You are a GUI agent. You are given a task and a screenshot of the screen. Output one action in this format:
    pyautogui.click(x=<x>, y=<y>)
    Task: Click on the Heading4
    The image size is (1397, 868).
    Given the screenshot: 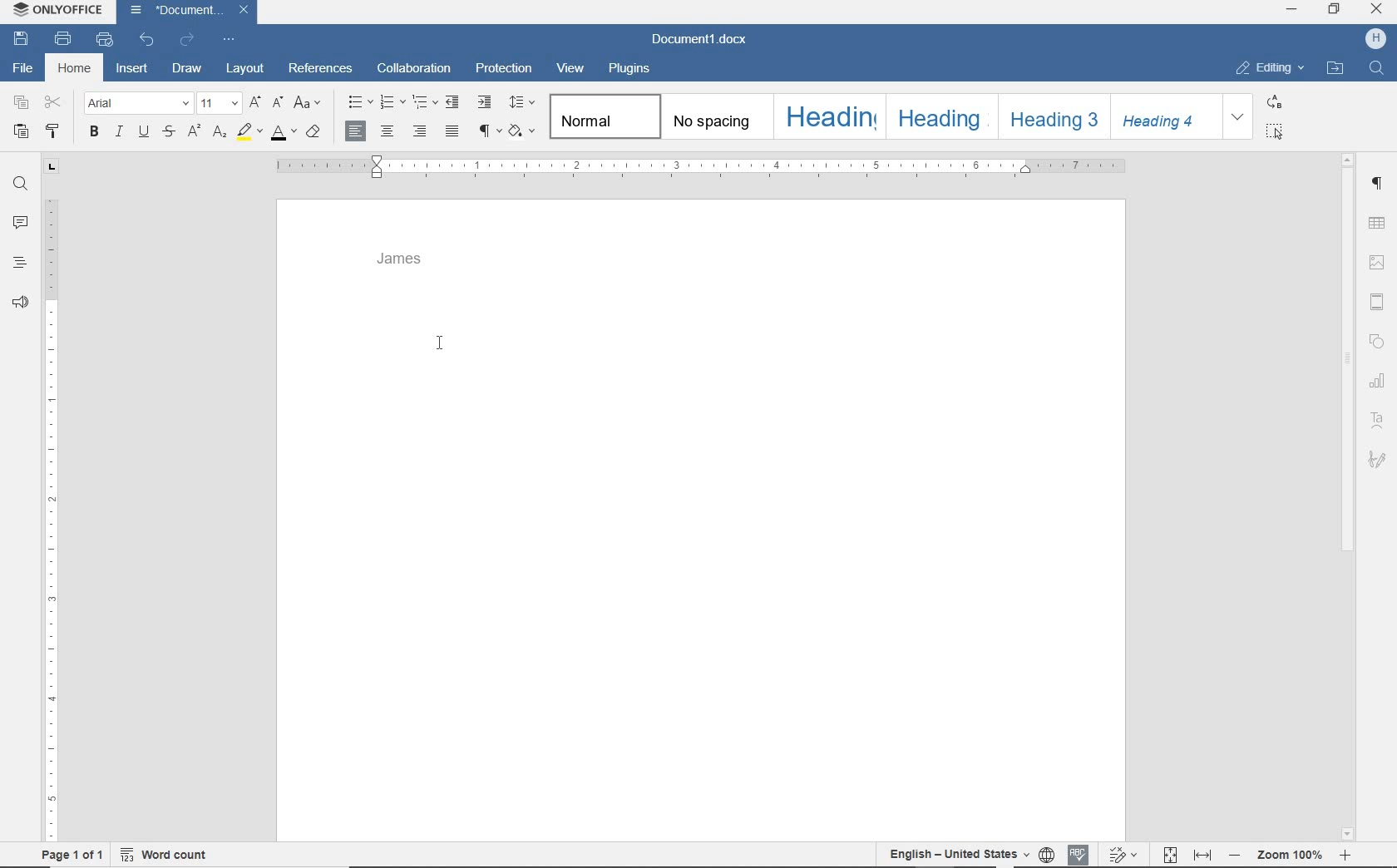 What is the action you would take?
    pyautogui.click(x=1164, y=121)
    